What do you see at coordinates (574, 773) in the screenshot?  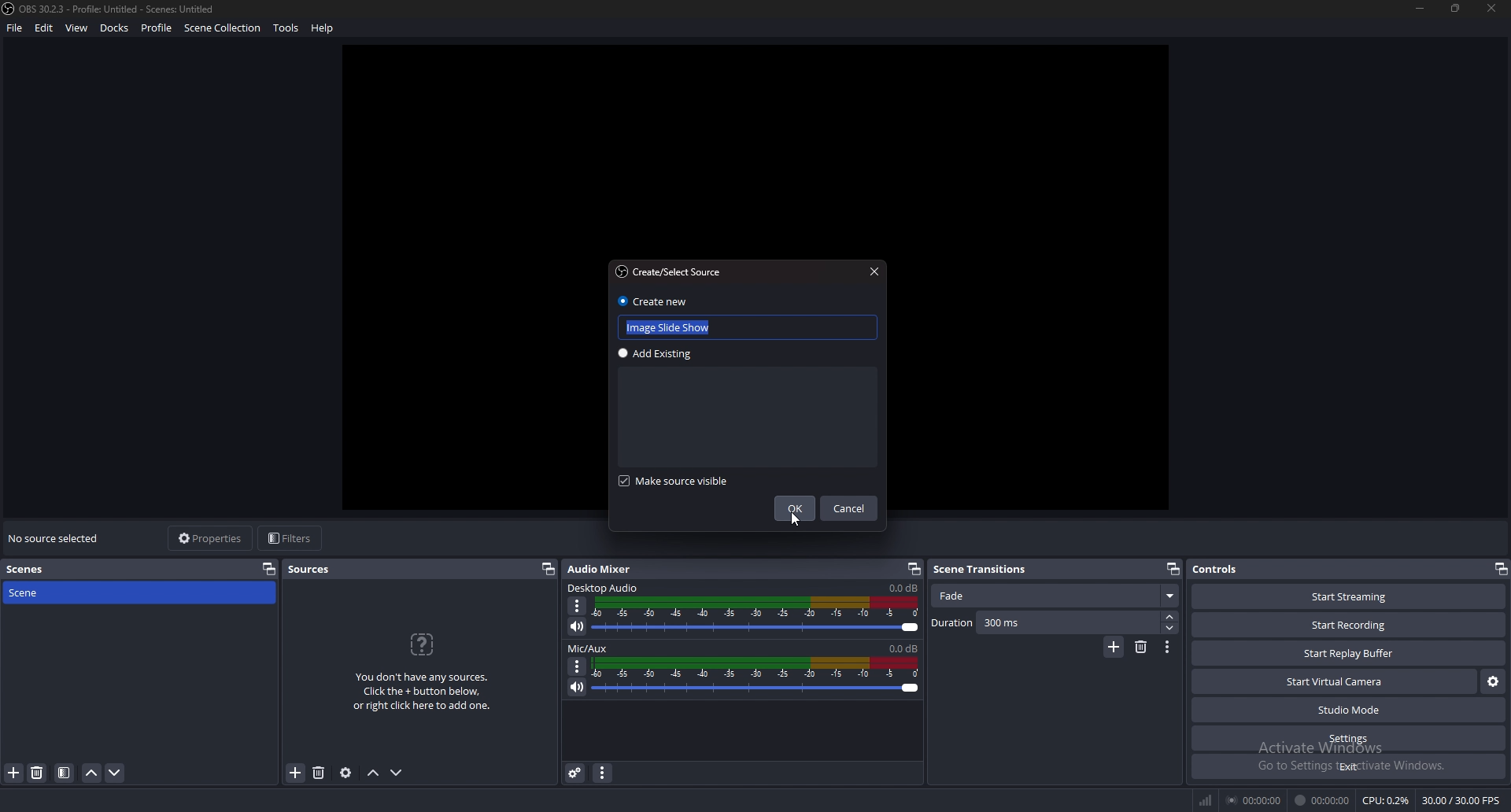 I see `advanced audio properties` at bounding box center [574, 773].